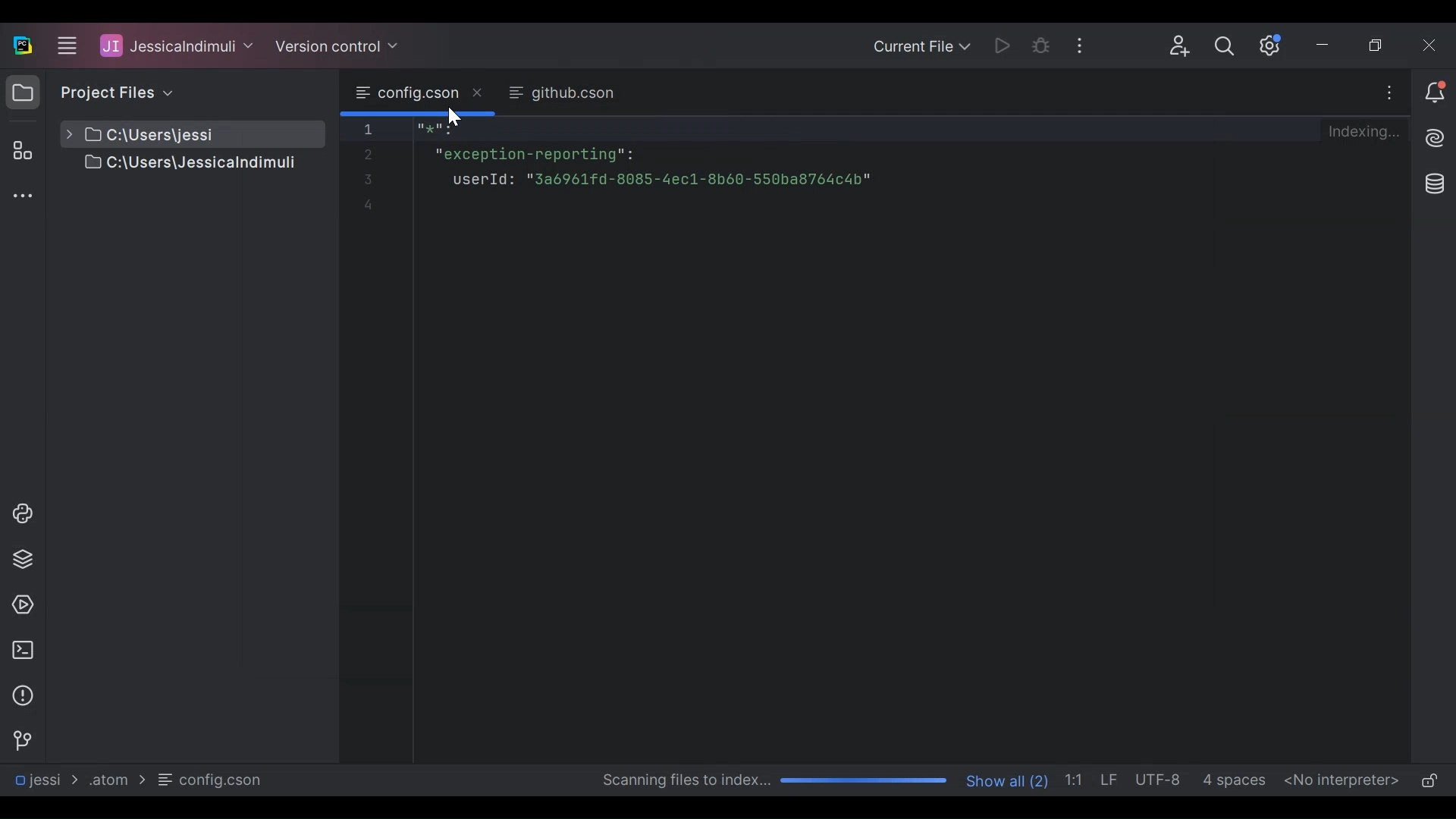  I want to click on Browse tab, so click(419, 93).